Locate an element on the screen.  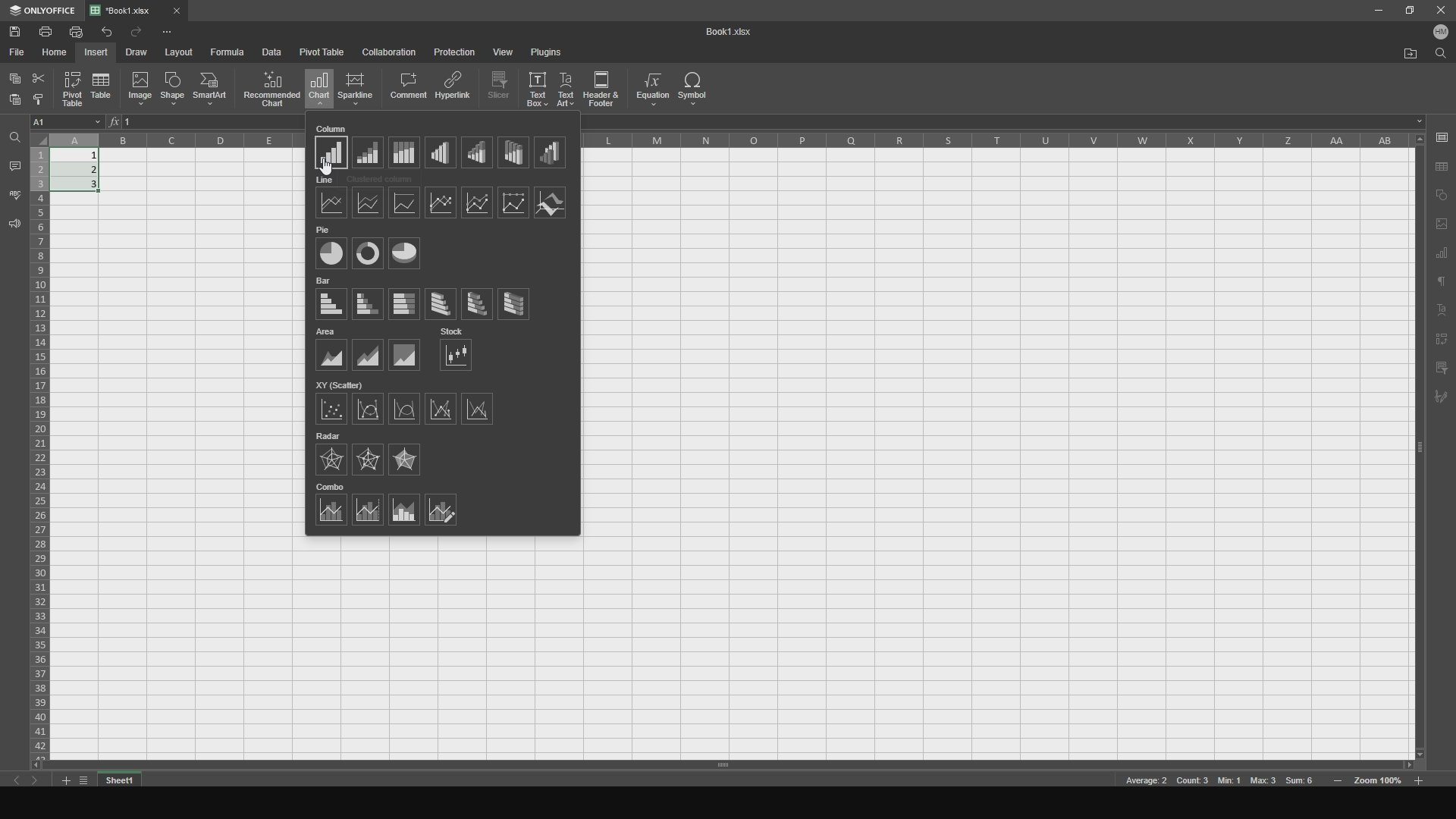
bold is located at coordinates (40, 101).